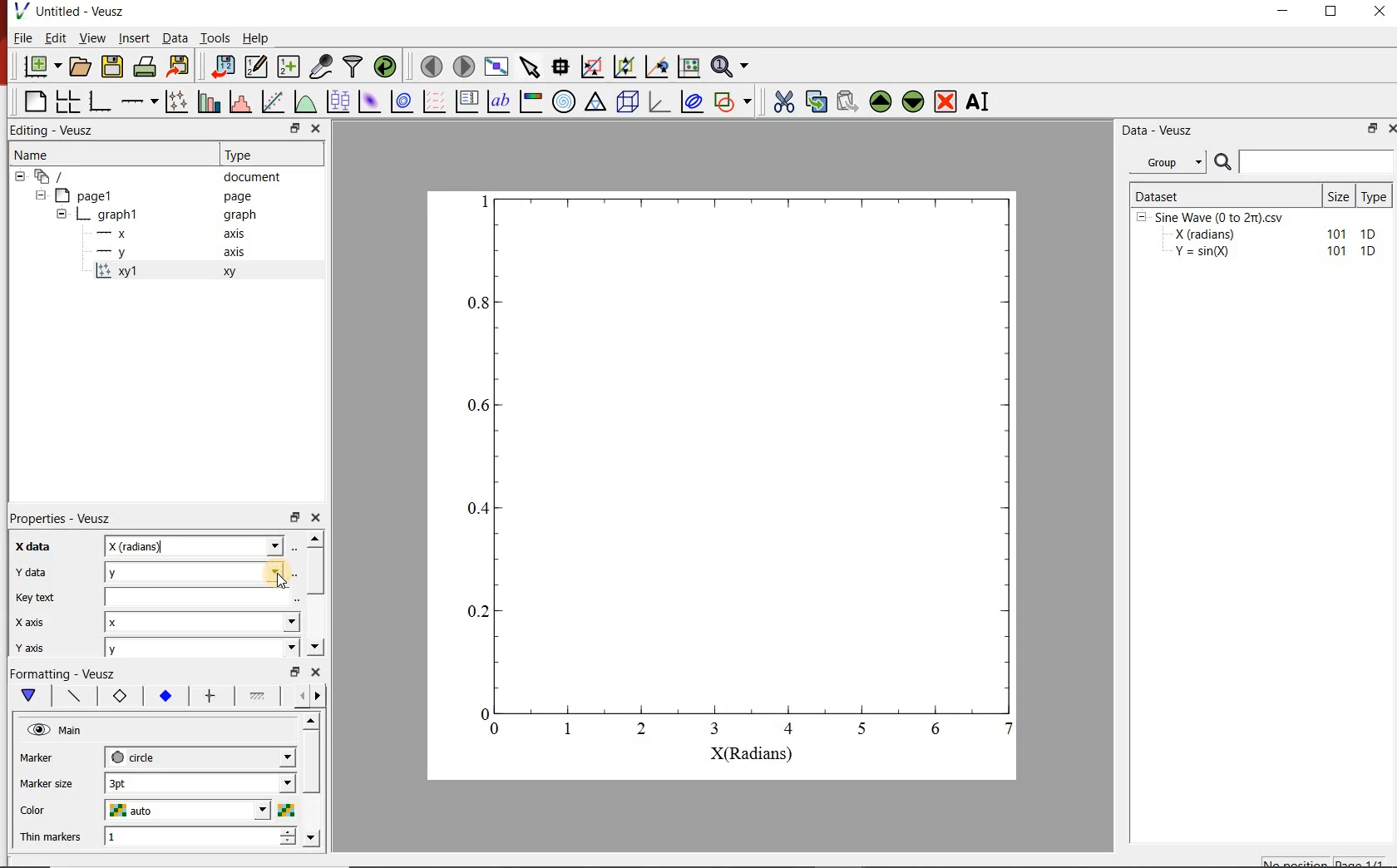  I want to click on Editing - Veusz, so click(55, 131).